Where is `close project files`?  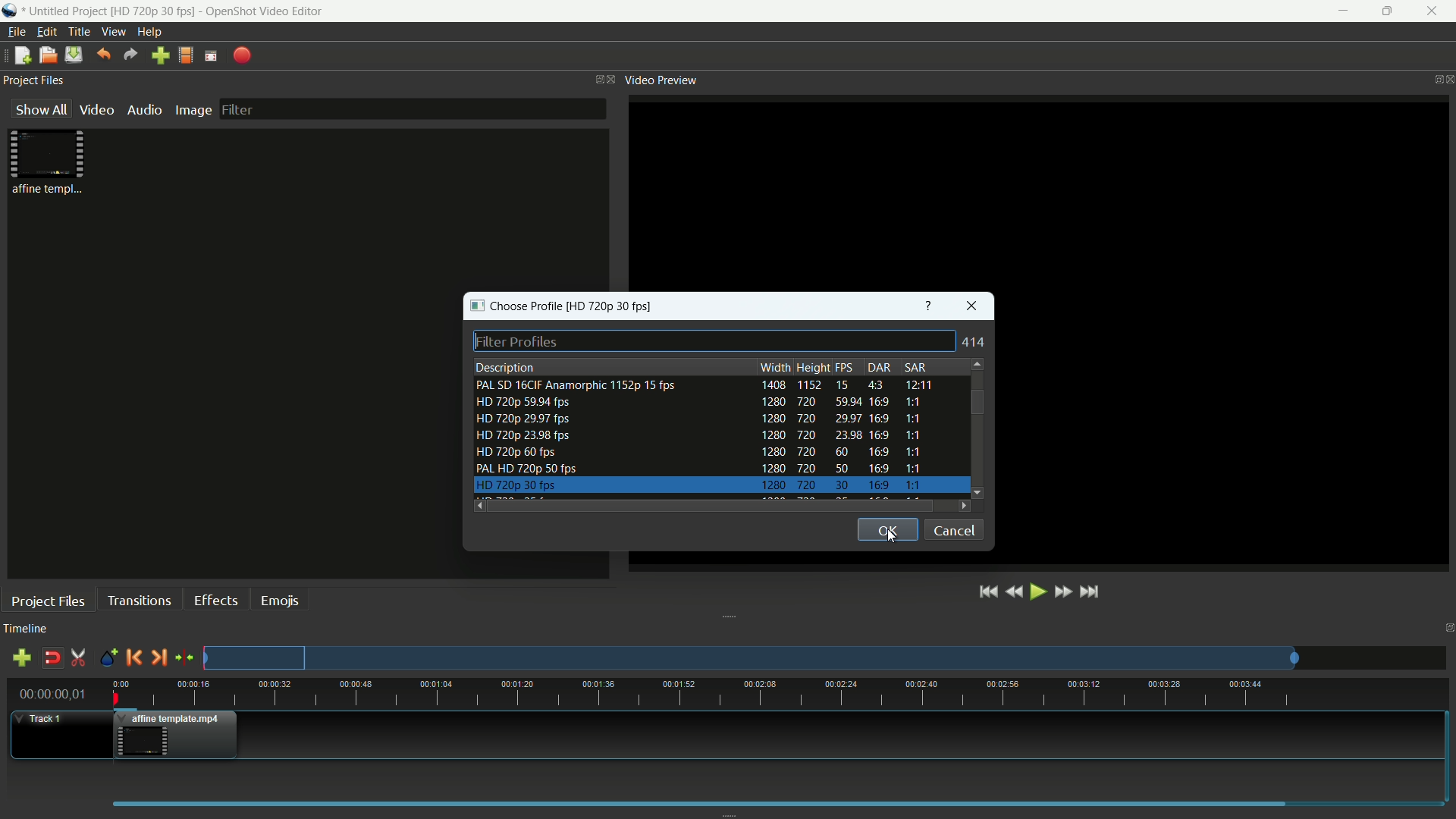
close project files is located at coordinates (613, 79).